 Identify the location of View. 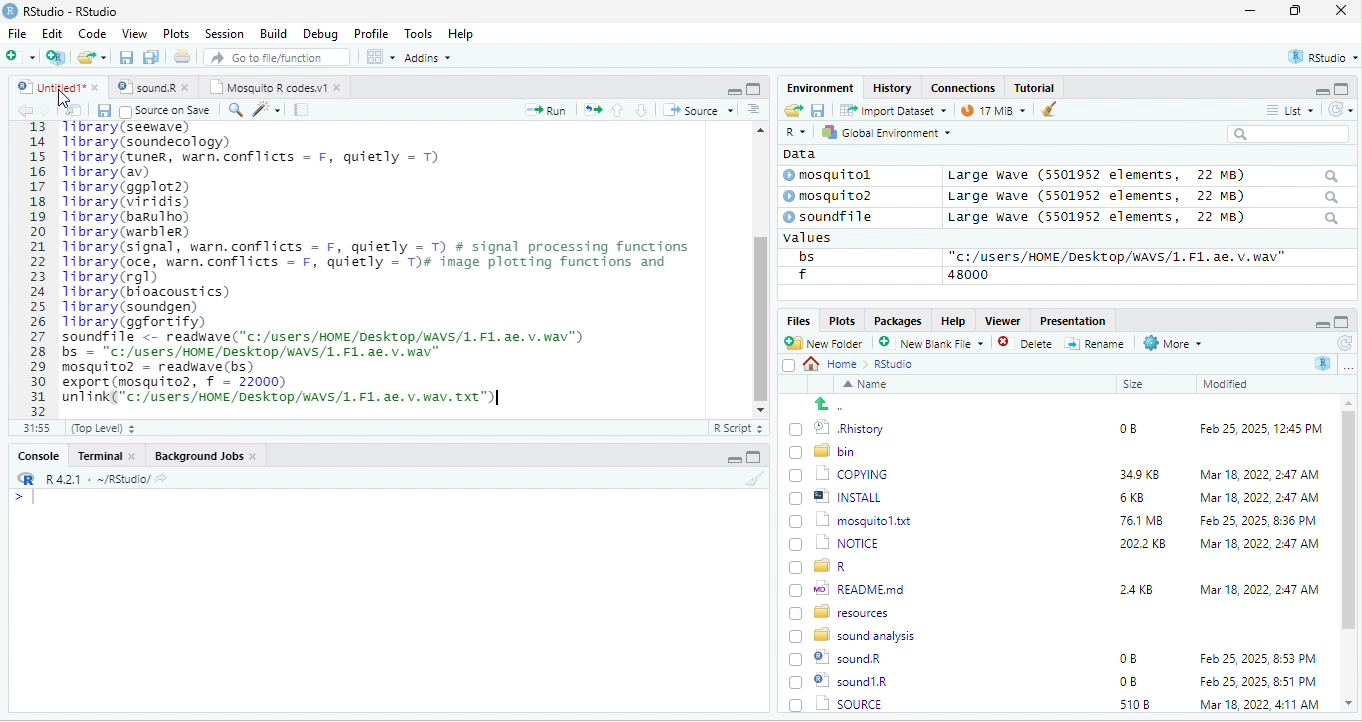
(133, 35).